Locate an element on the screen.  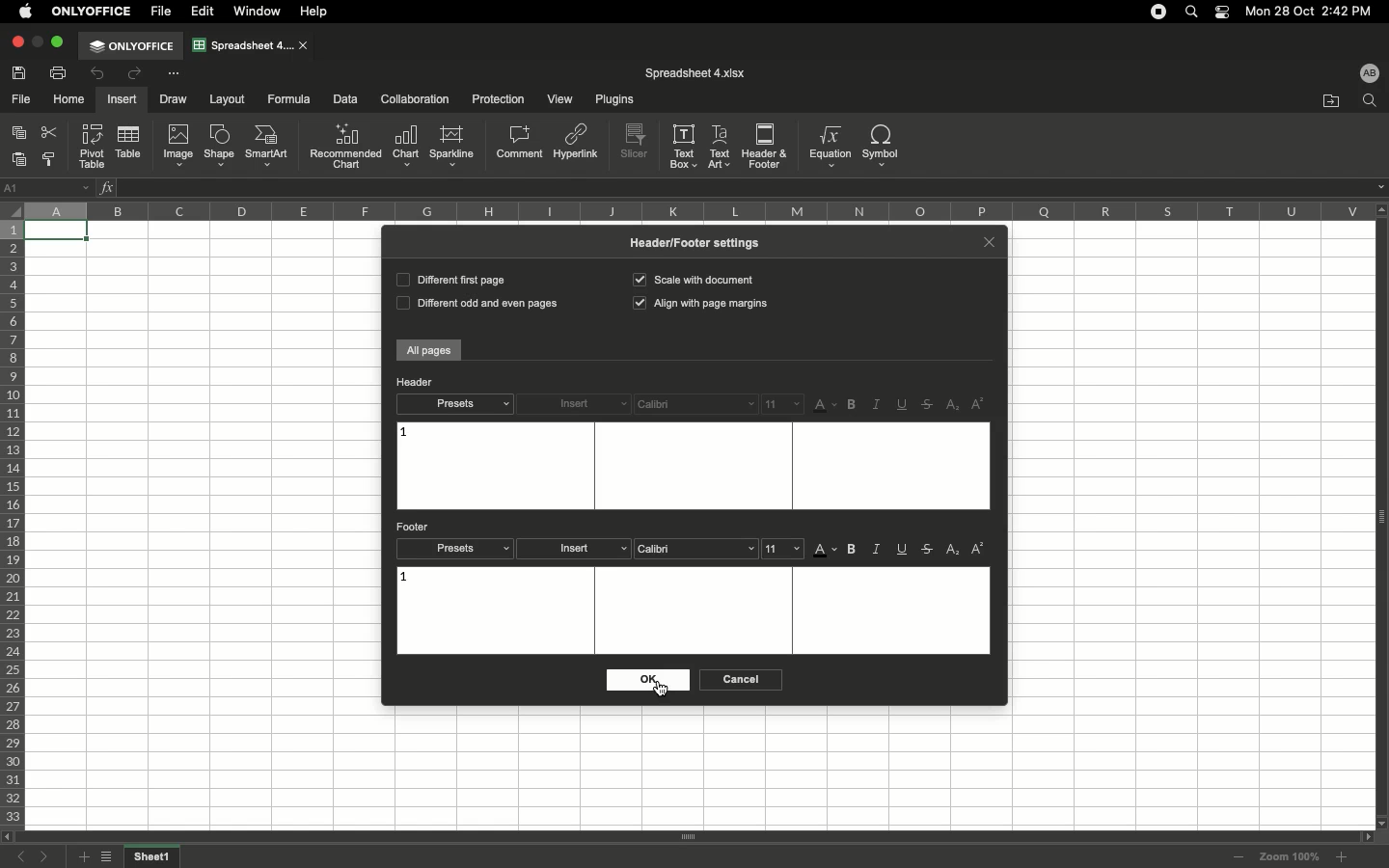
File name is located at coordinates (695, 73).